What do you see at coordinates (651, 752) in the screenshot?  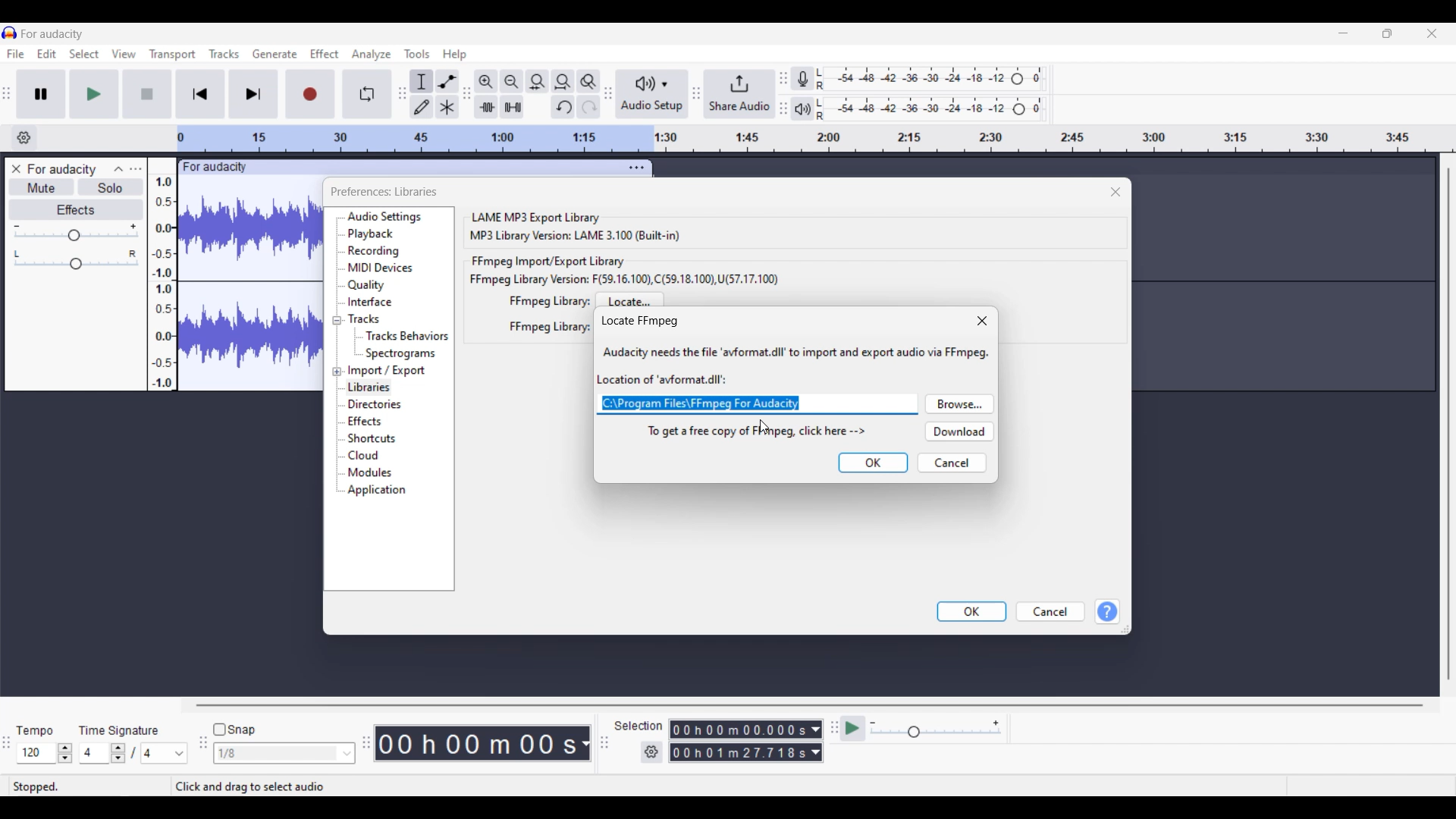 I see `Settings` at bounding box center [651, 752].